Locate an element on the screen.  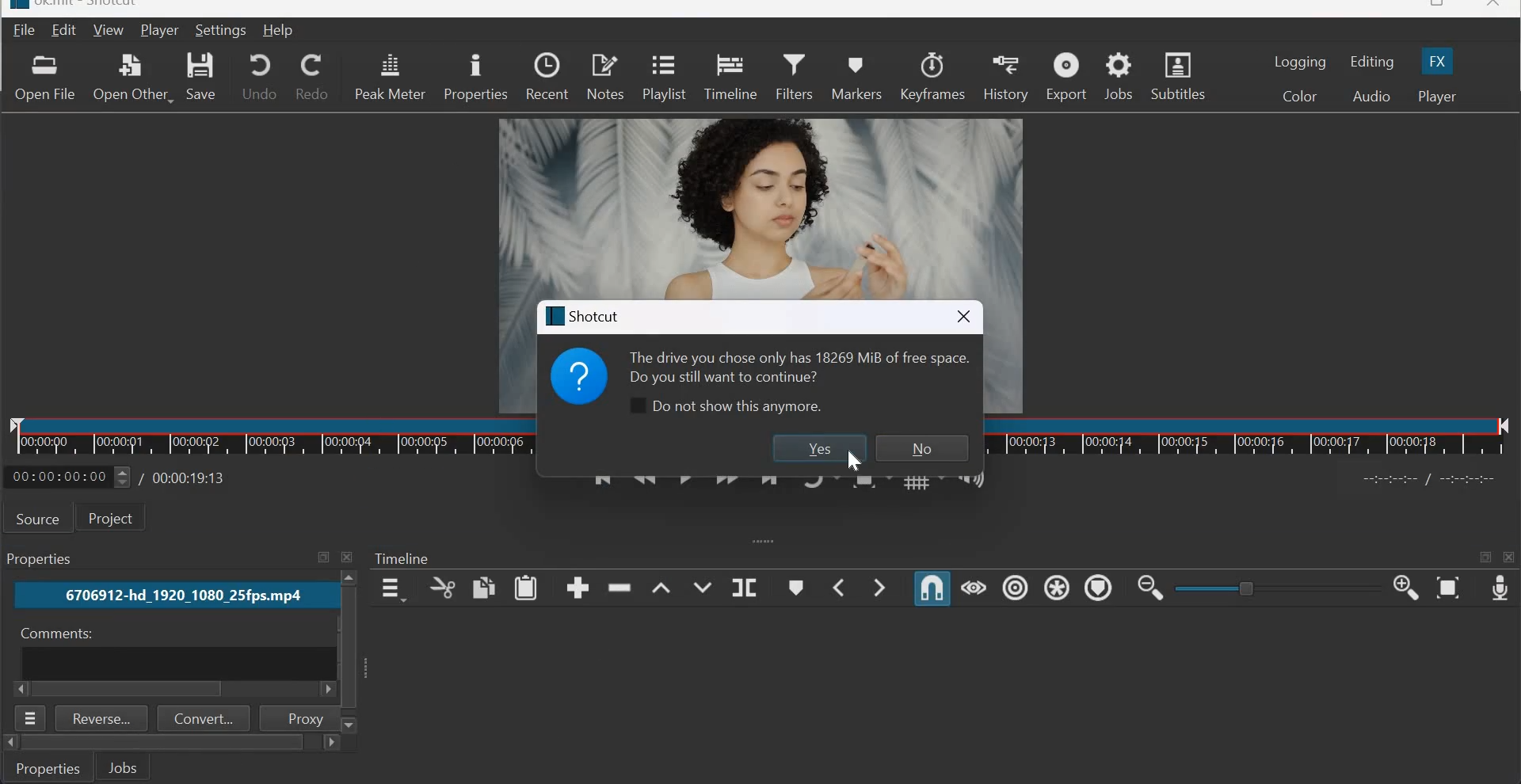
lift is located at coordinates (661, 585).